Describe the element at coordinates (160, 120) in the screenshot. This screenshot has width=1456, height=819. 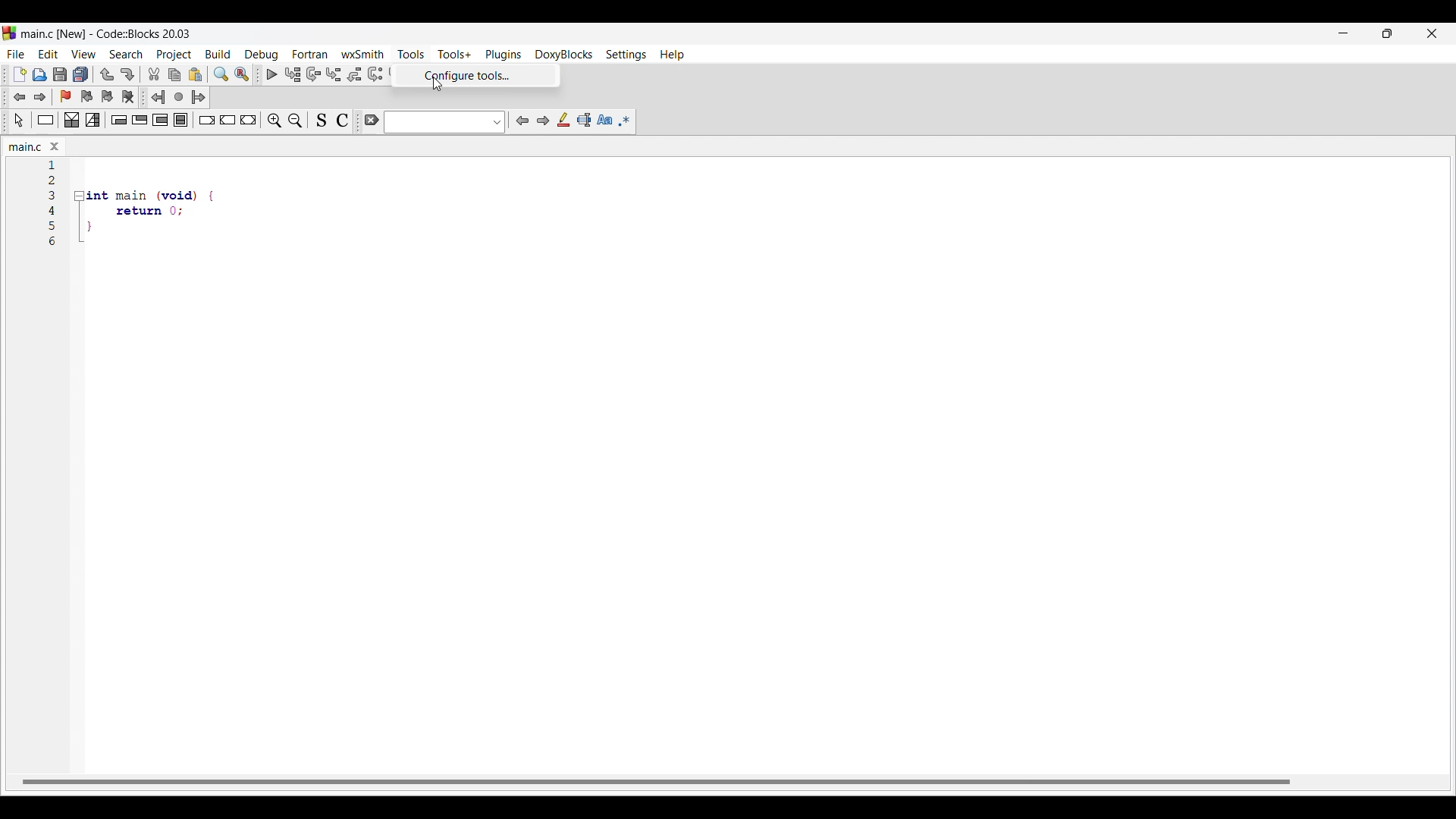
I see `Counting loop` at that location.